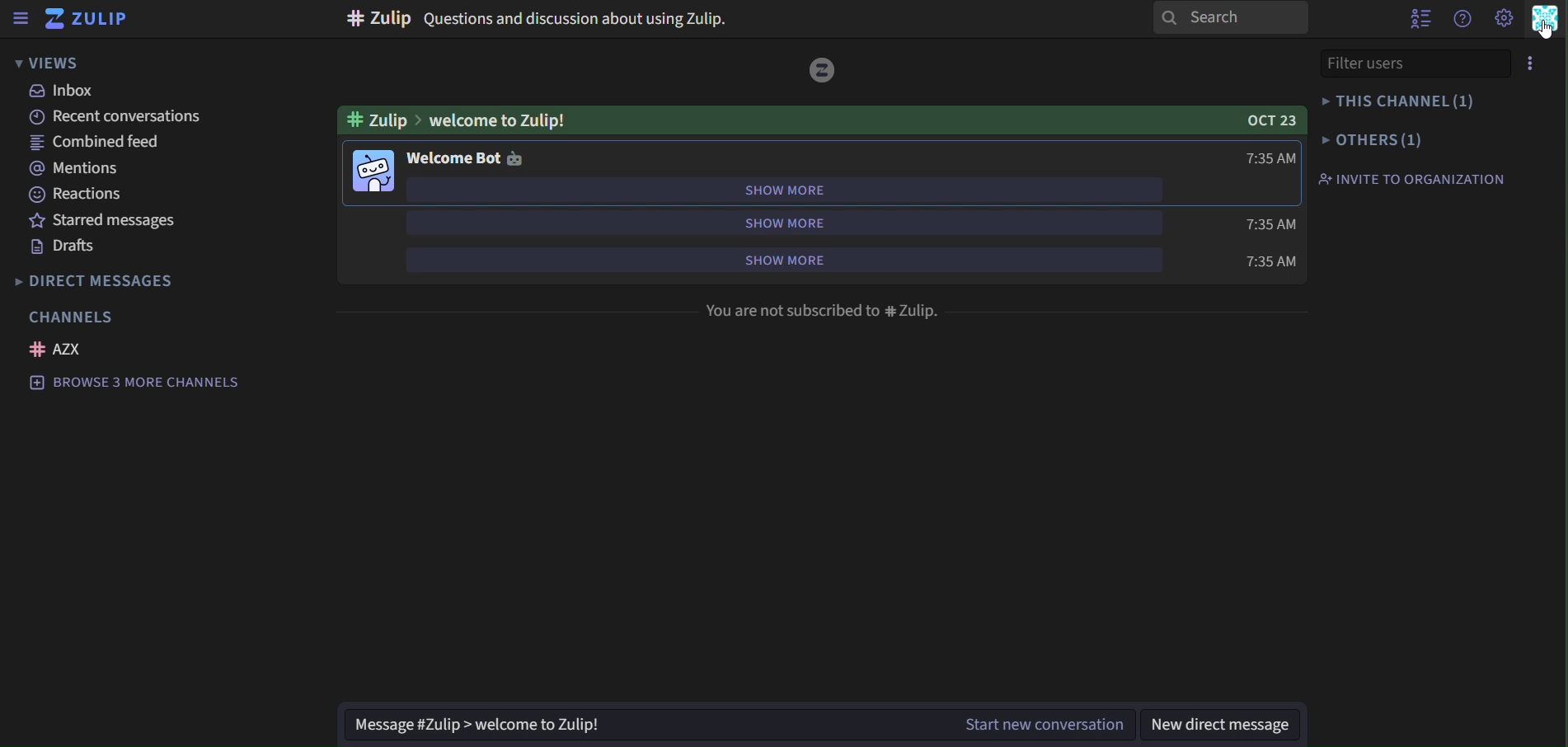 Image resolution: width=1568 pixels, height=747 pixels. Describe the element at coordinates (107, 221) in the screenshot. I see `starred messages` at that location.